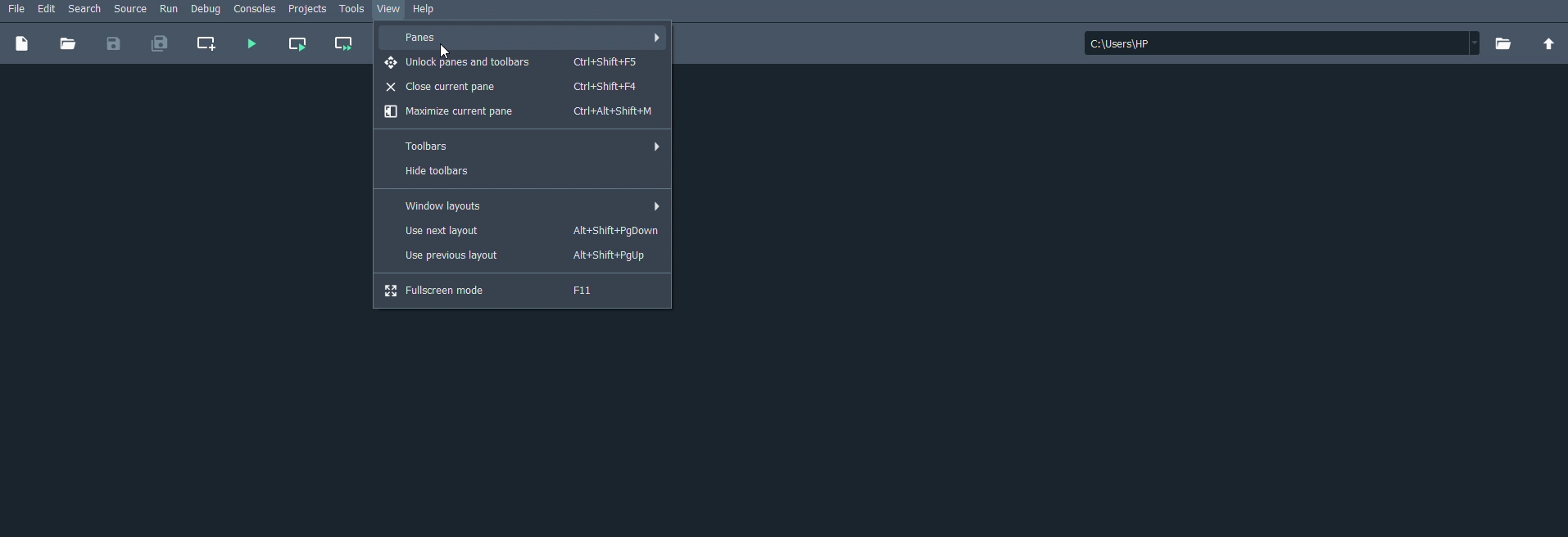  Describe the element at coordinates (342, 43) in the screenshot. I see `Run current cell and go to the next one` at that location.